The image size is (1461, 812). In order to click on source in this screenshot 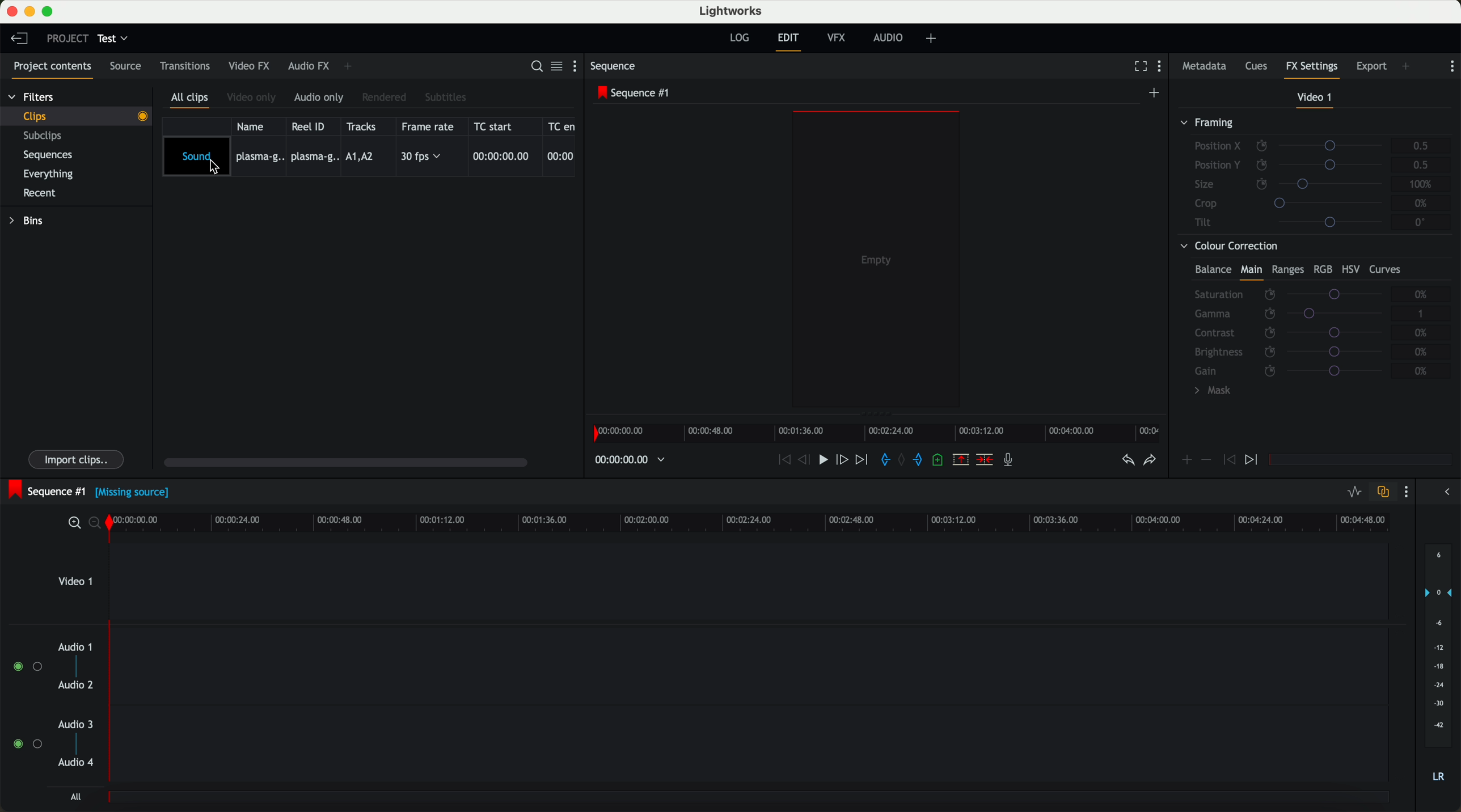, I will do `click(129, 67)`.